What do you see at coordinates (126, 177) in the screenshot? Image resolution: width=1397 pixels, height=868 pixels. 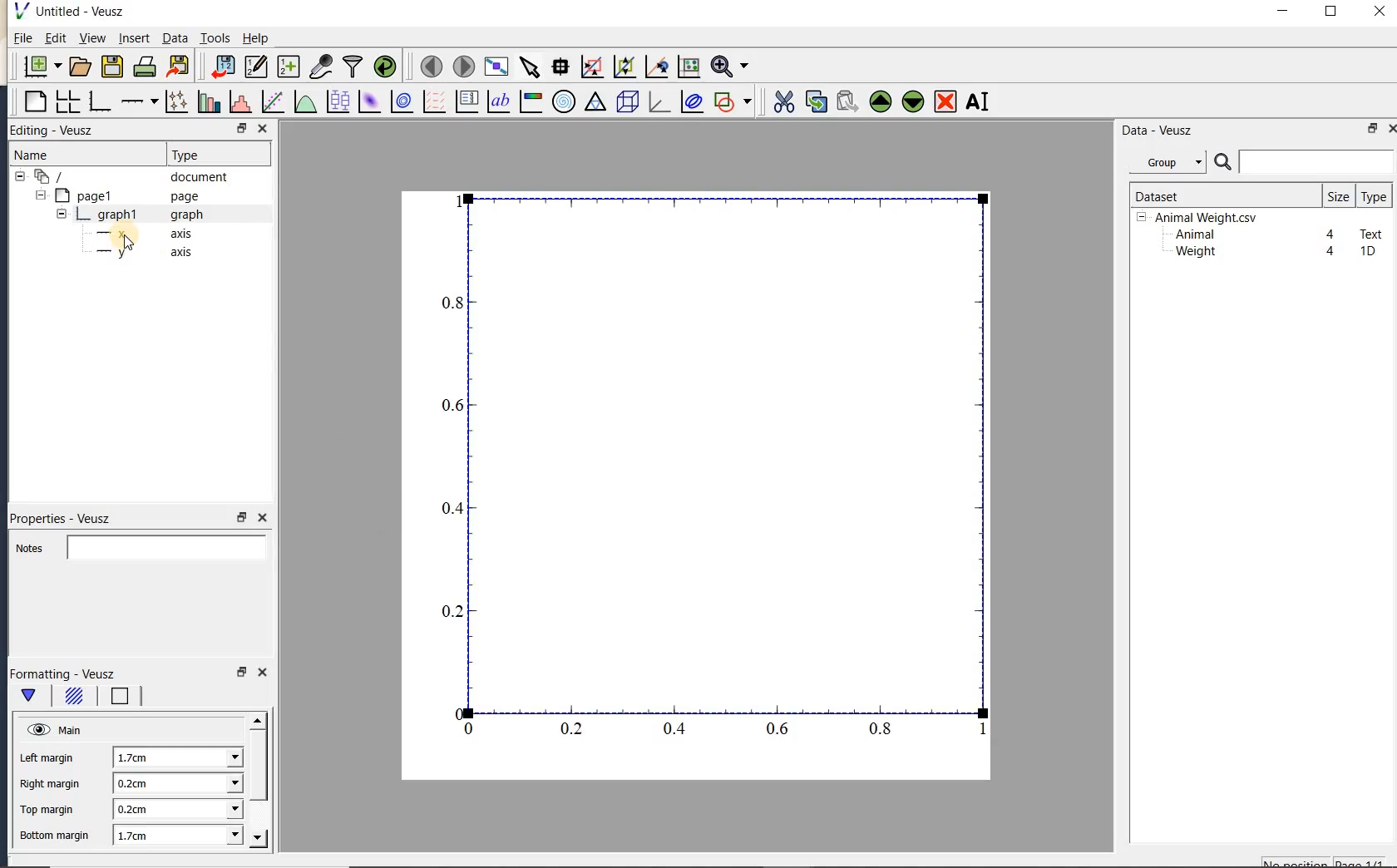 I see `document` at bounding box center [126, 177].